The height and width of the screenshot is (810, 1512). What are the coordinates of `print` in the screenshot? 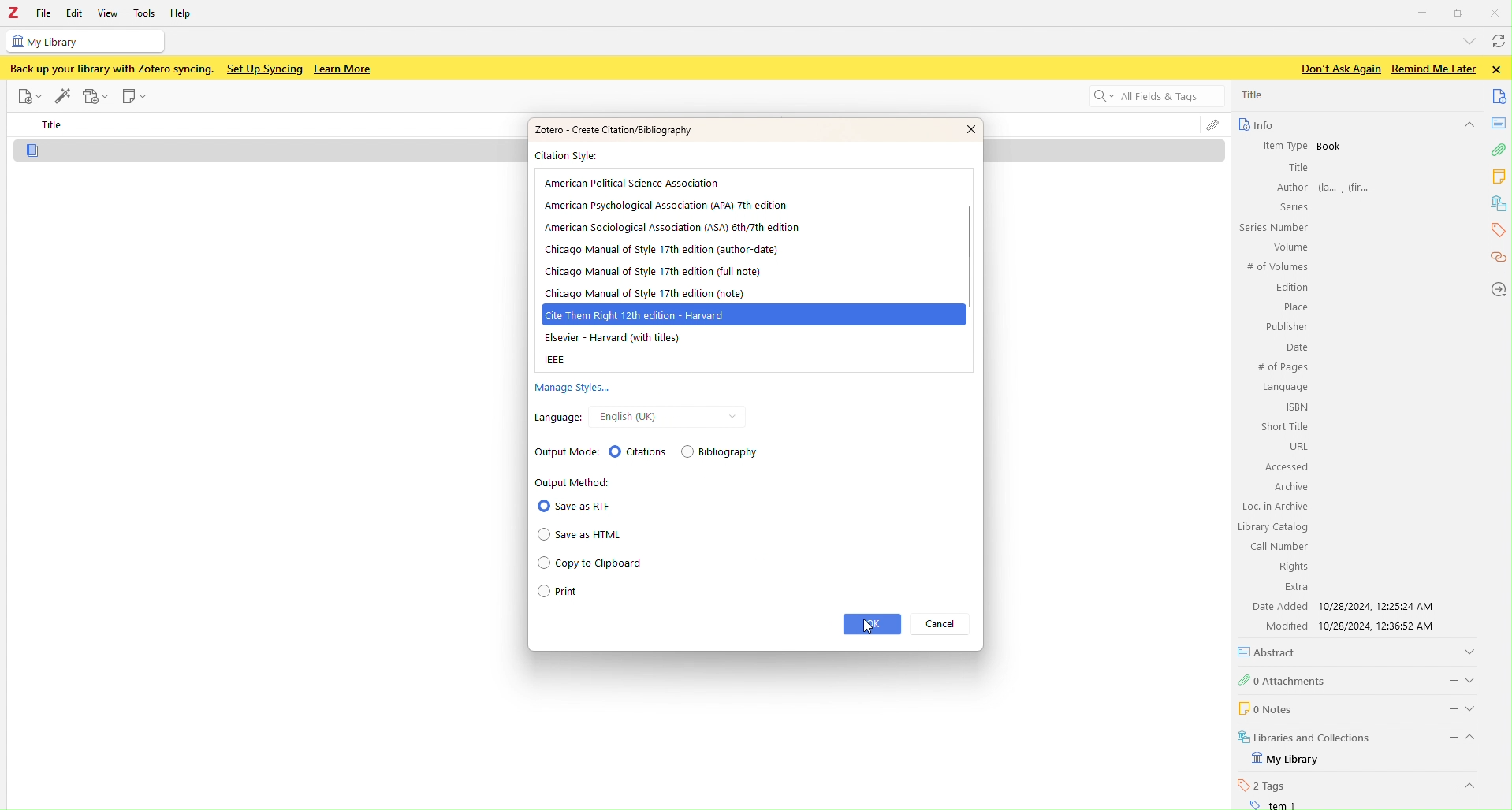 It's located at (583, 594).